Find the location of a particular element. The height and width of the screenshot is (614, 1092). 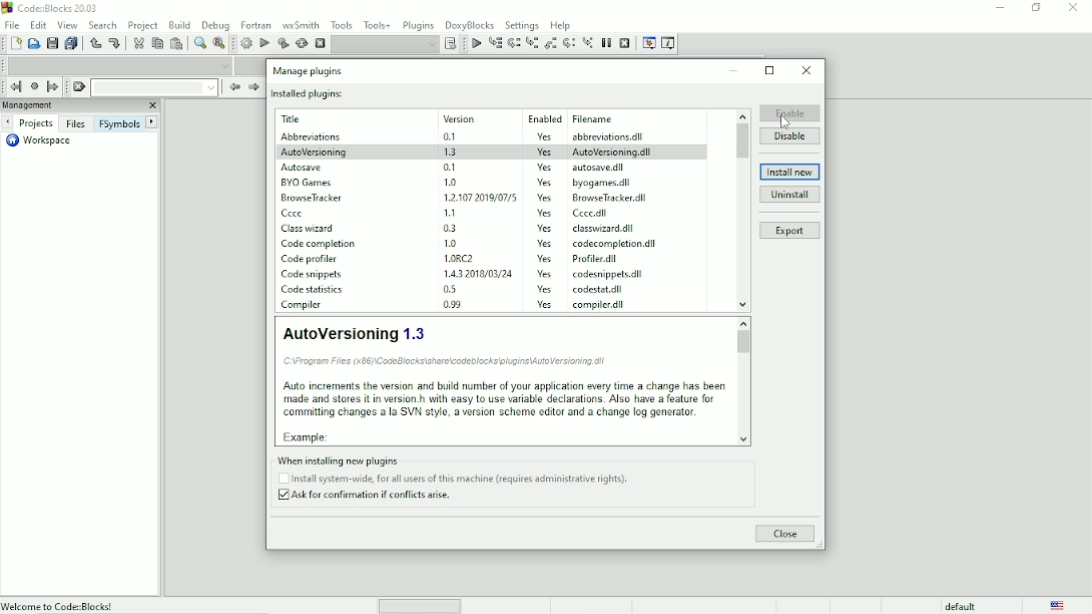

Save is located at coordinates (52, 43).